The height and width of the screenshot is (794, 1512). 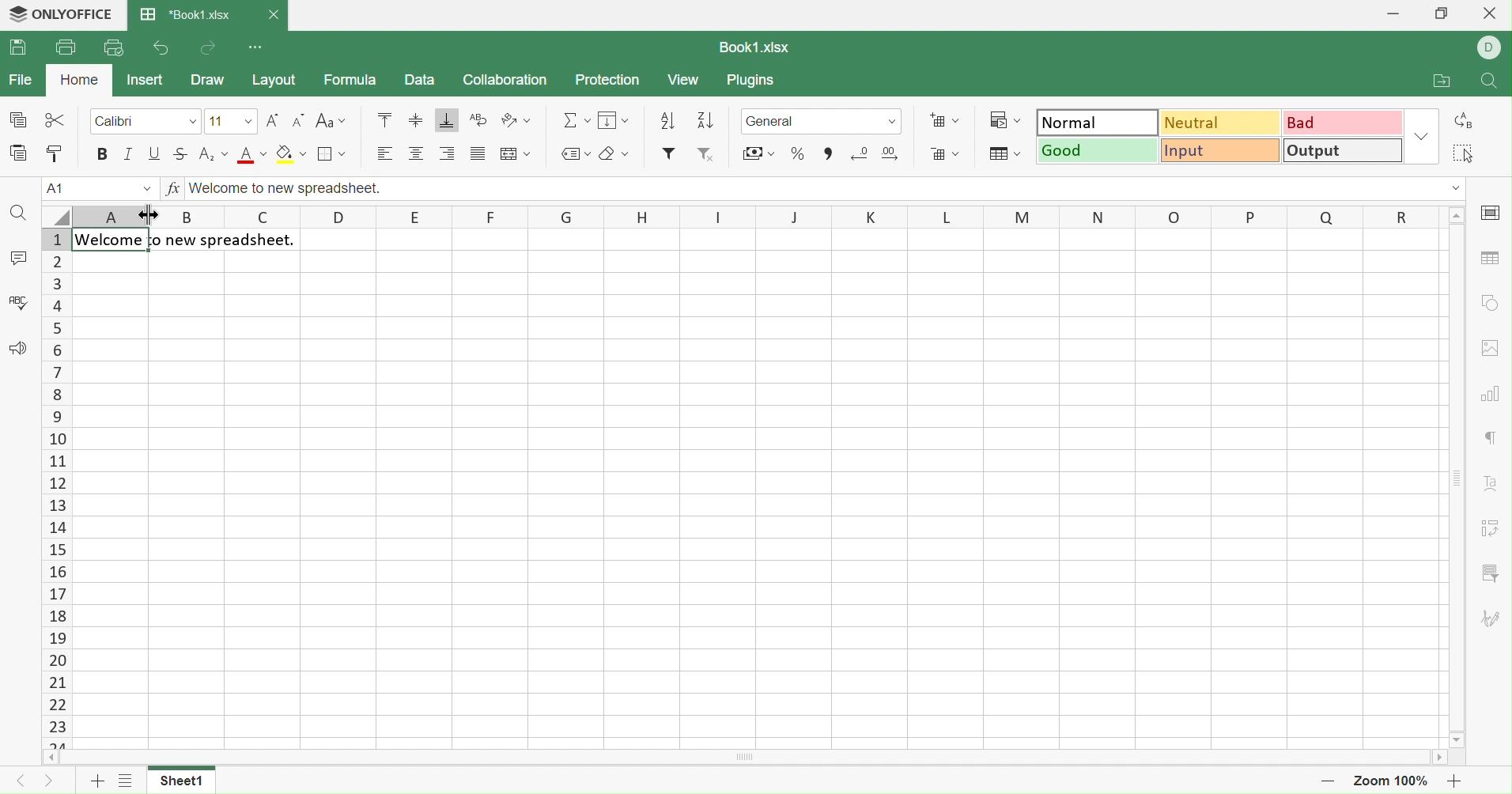 What do you see at coordinates (1457, 216) in the screenshot?
I see `Drop Down` at bounding box center [1457, 216].